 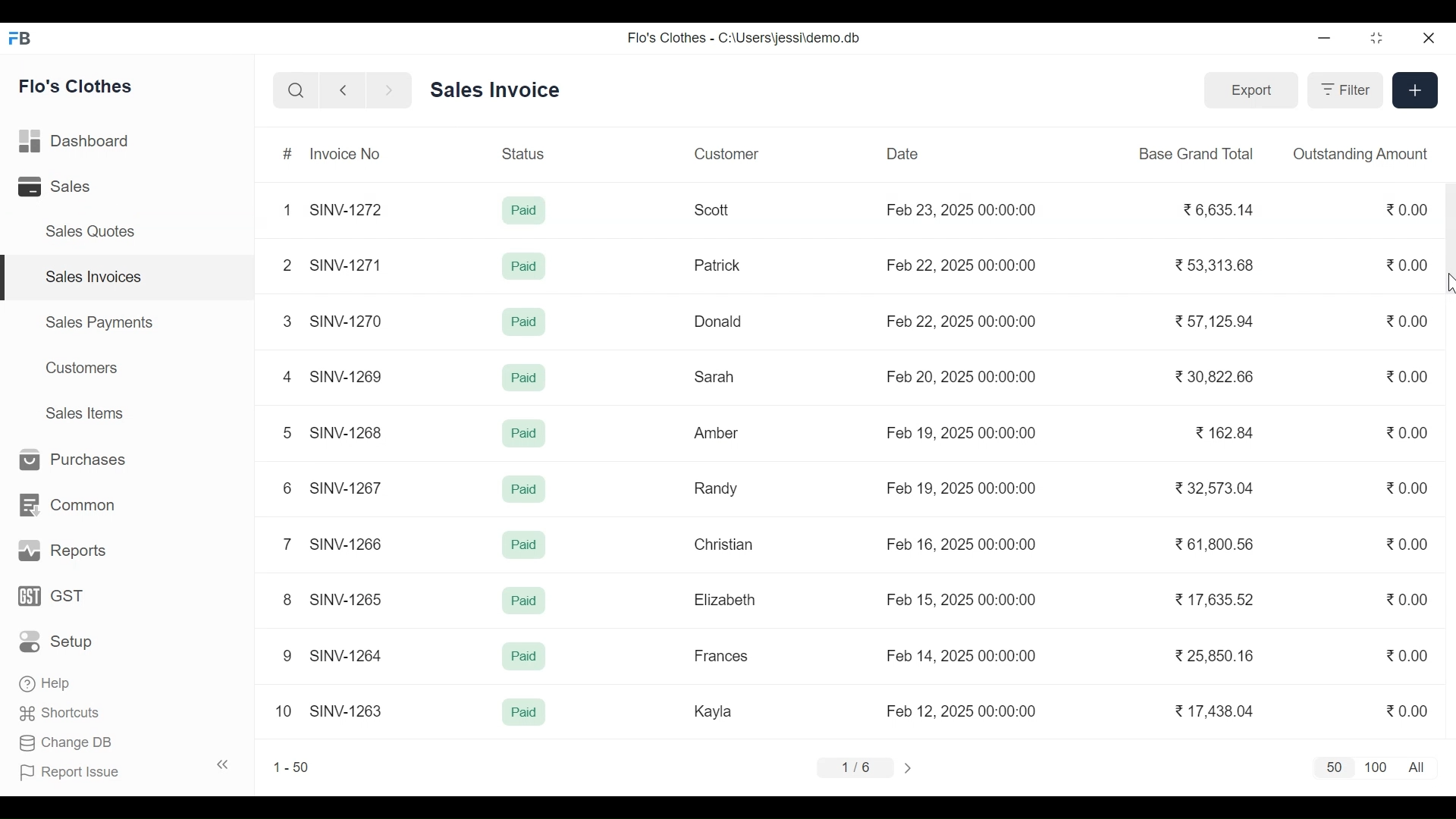 I want to click on Amber, so click(x=717, y=434).